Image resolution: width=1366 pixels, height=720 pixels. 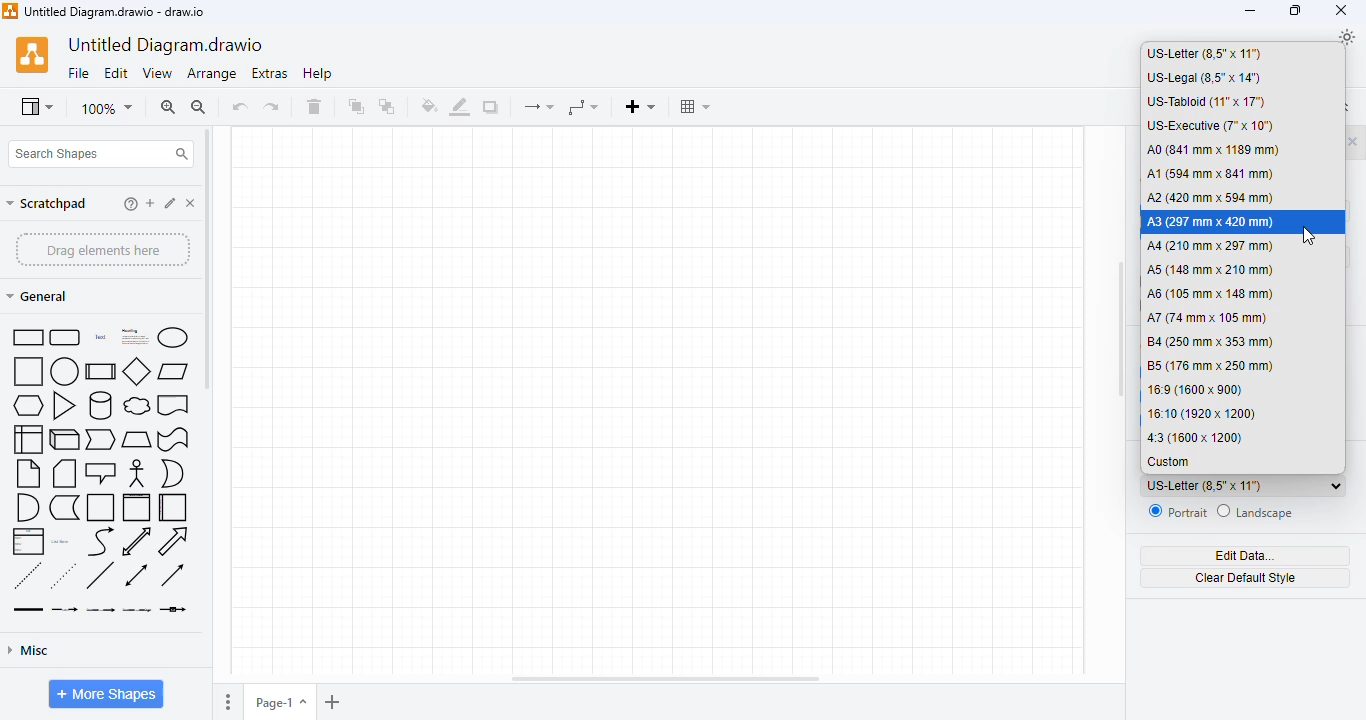 I want to click on page-1, so click(x=280, y=702).